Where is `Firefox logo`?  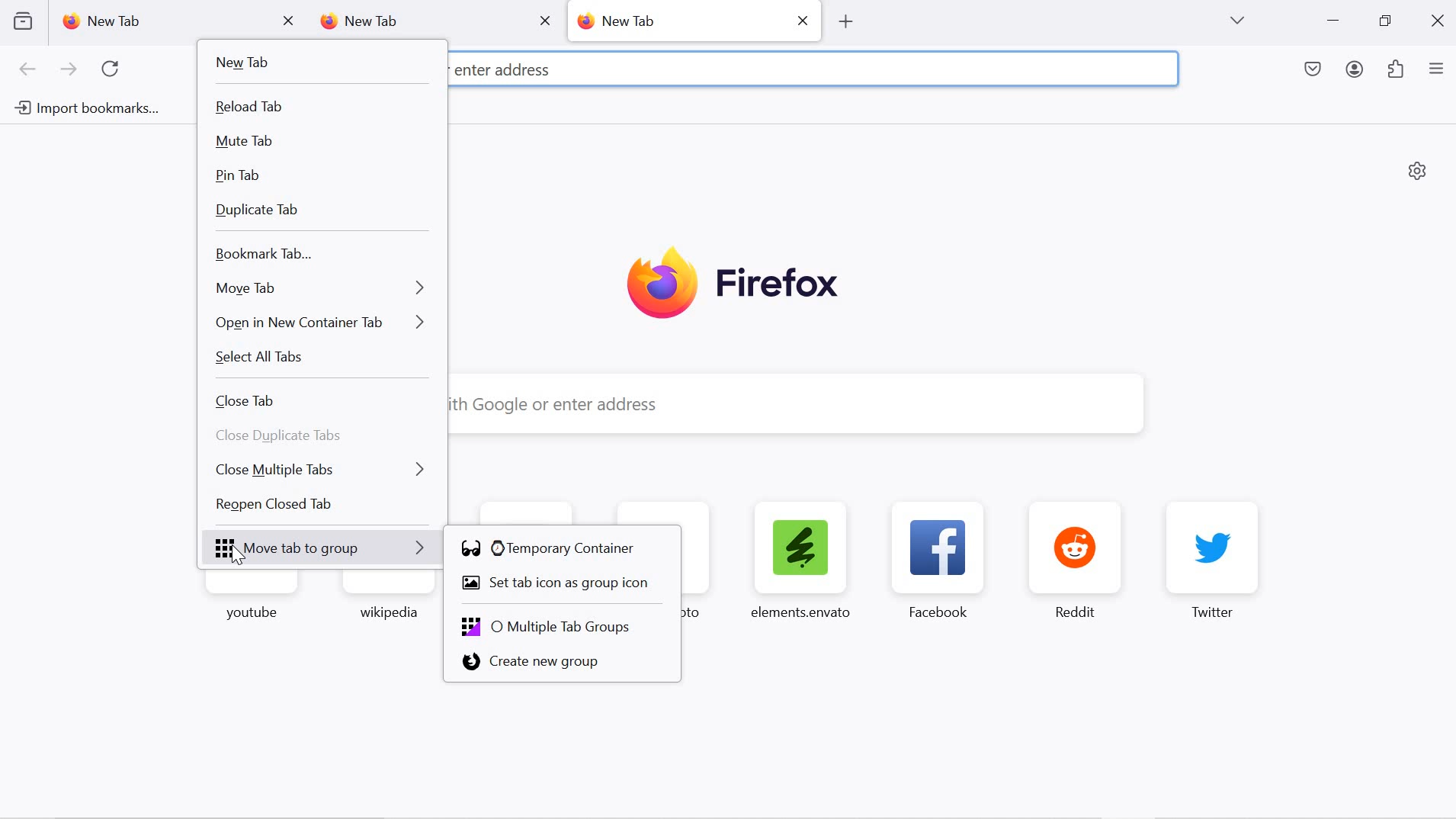
Firefox logo is located at coordinates (733, 285).